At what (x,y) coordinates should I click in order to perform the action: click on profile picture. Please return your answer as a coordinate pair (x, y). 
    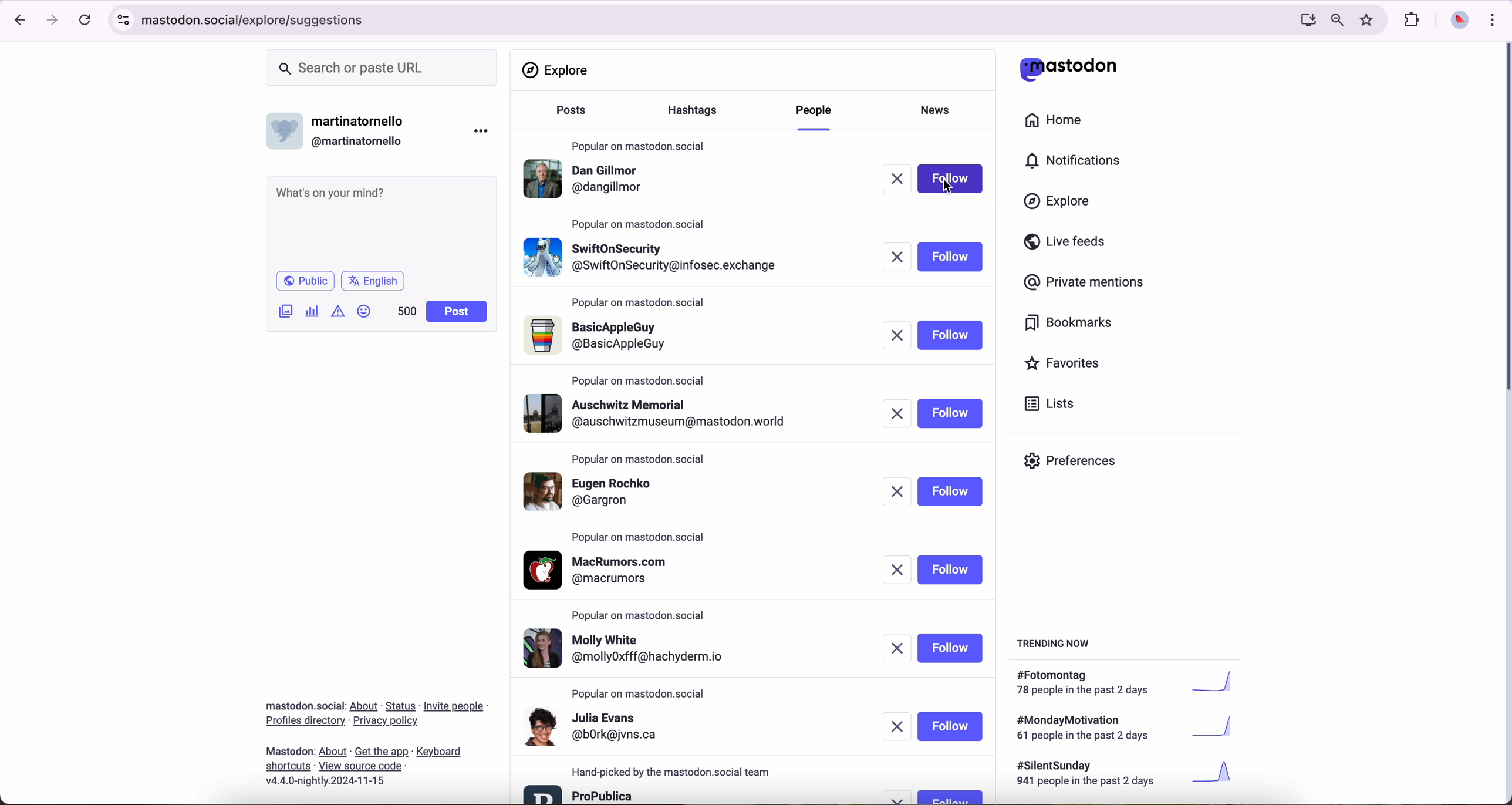
    Looking at the image, I should click on (1456, 21).